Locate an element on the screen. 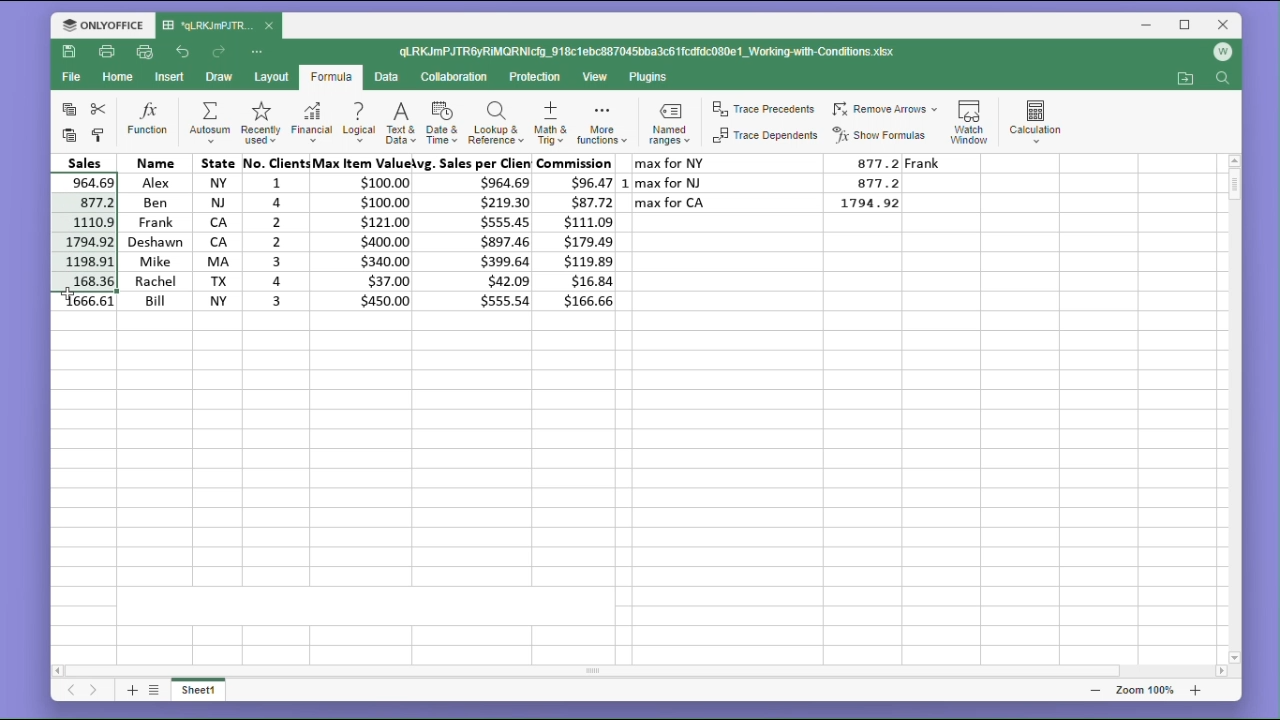 The width and height of the screenshot is (1280, 720). save is located at coordinates (70, 55).